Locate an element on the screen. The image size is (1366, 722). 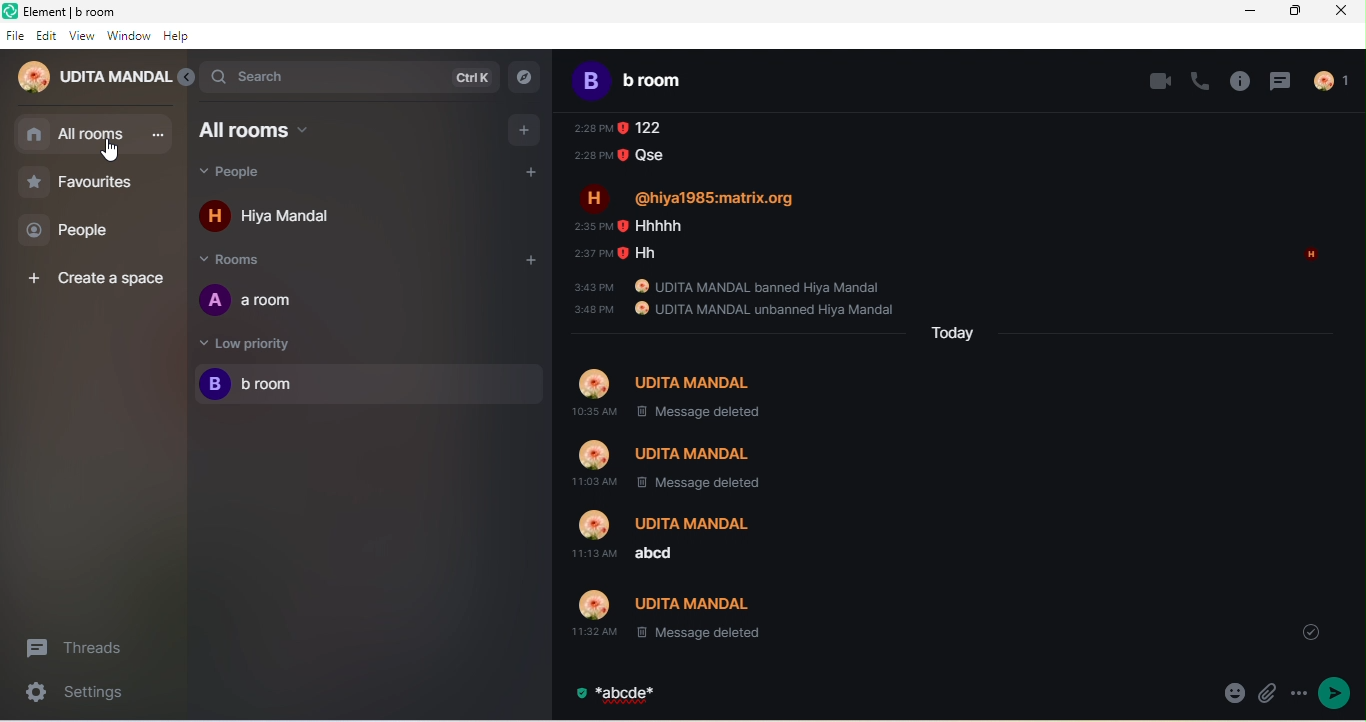
threads is located at coordinates (83, 646).